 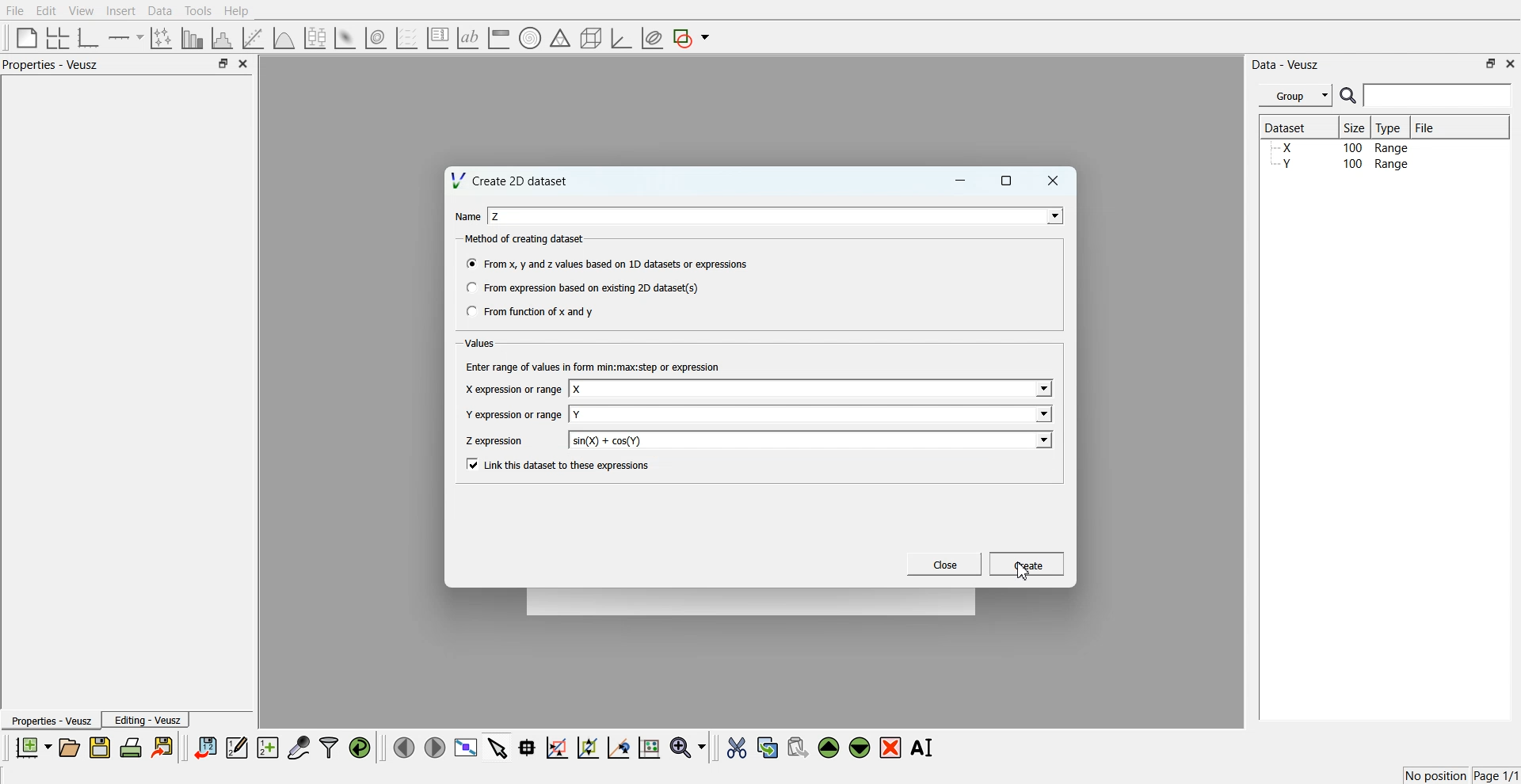 What do you see at coordinates (58, 39) in the screenshot?
I see `Arrange graph in grid` at bounding box center [58, 39].